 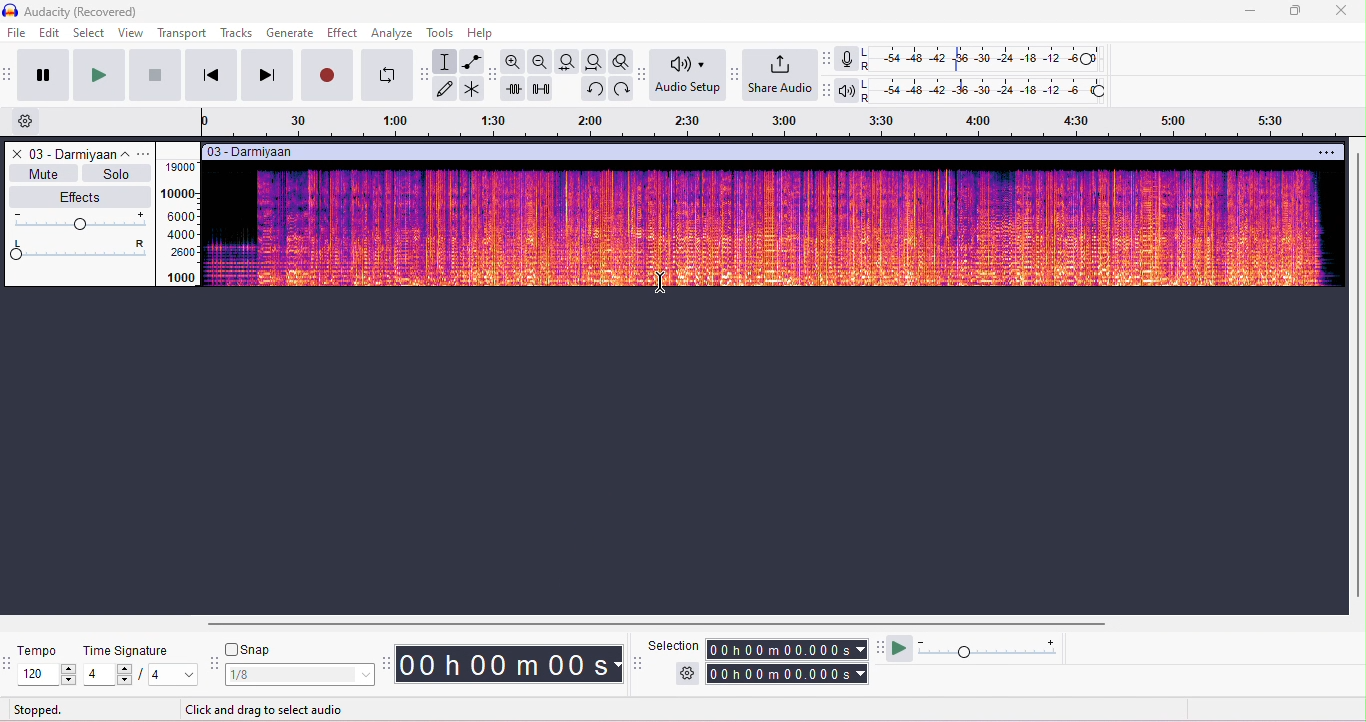 What do you see at coordinates (508, 663) in the screenshot?
I see `time` at bounding box center [508, 663].